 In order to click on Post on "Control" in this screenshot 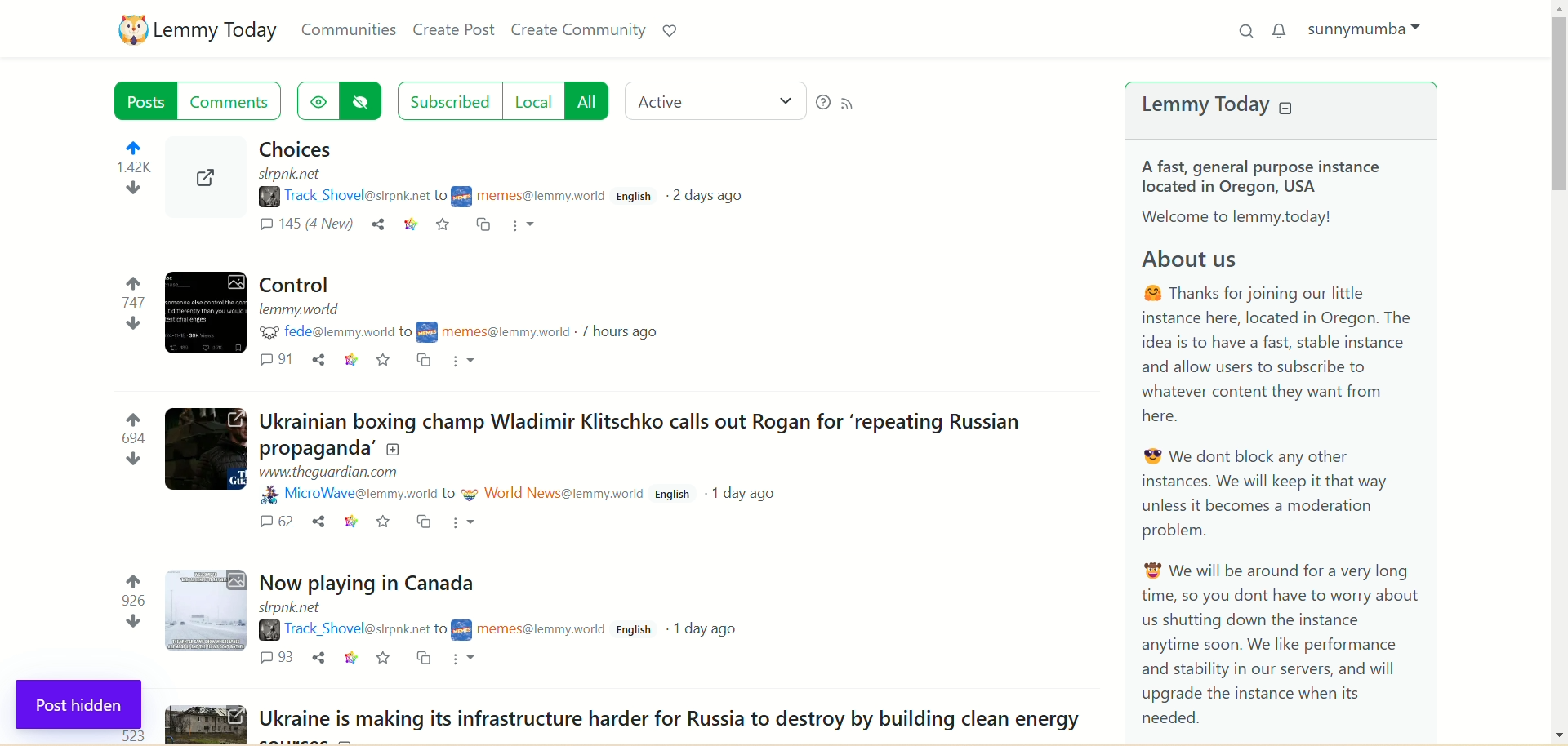, I will do `click(293, 285)`.